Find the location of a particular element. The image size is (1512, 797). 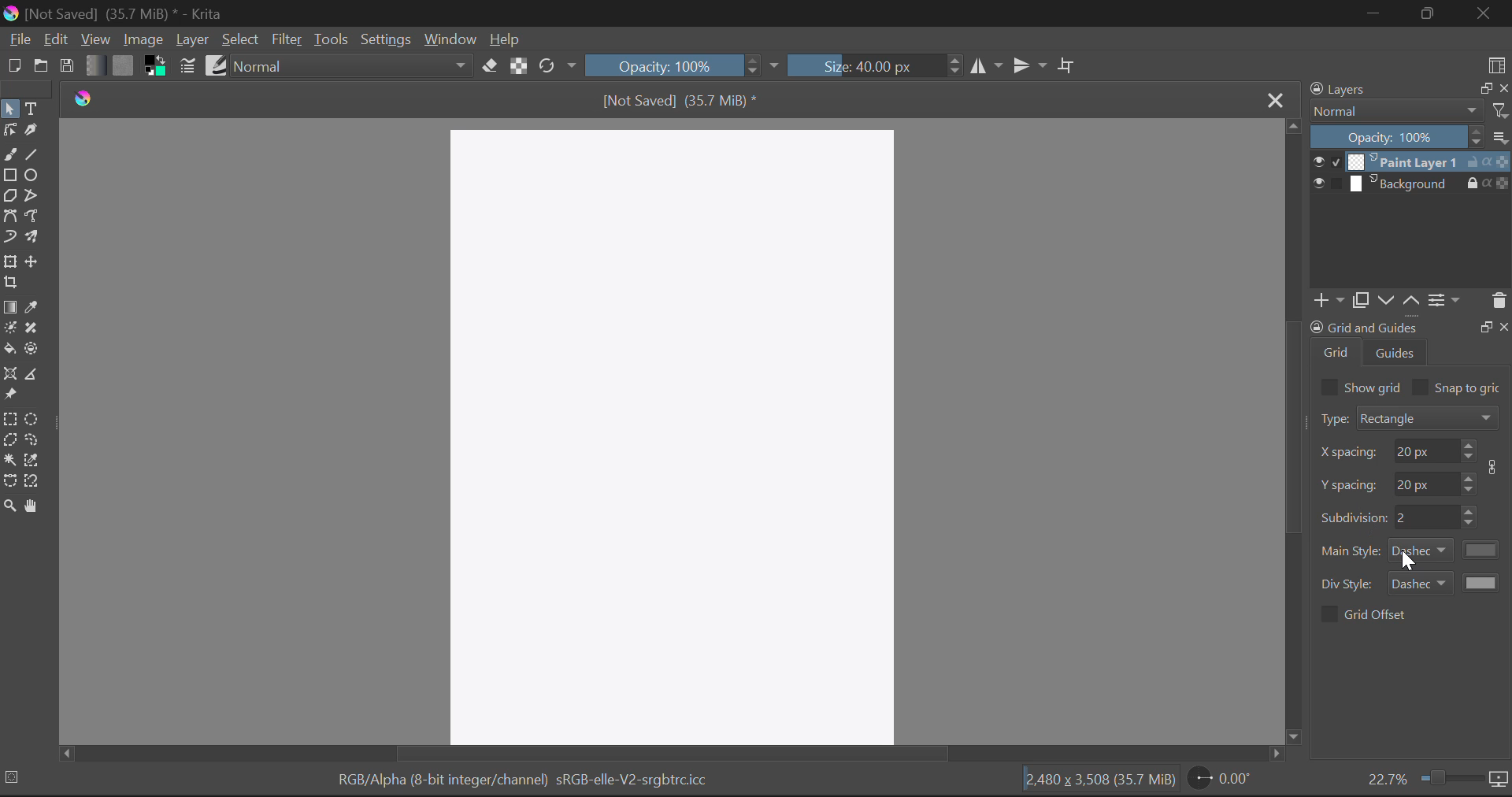

sub division is located at coordinates (1353, 516).